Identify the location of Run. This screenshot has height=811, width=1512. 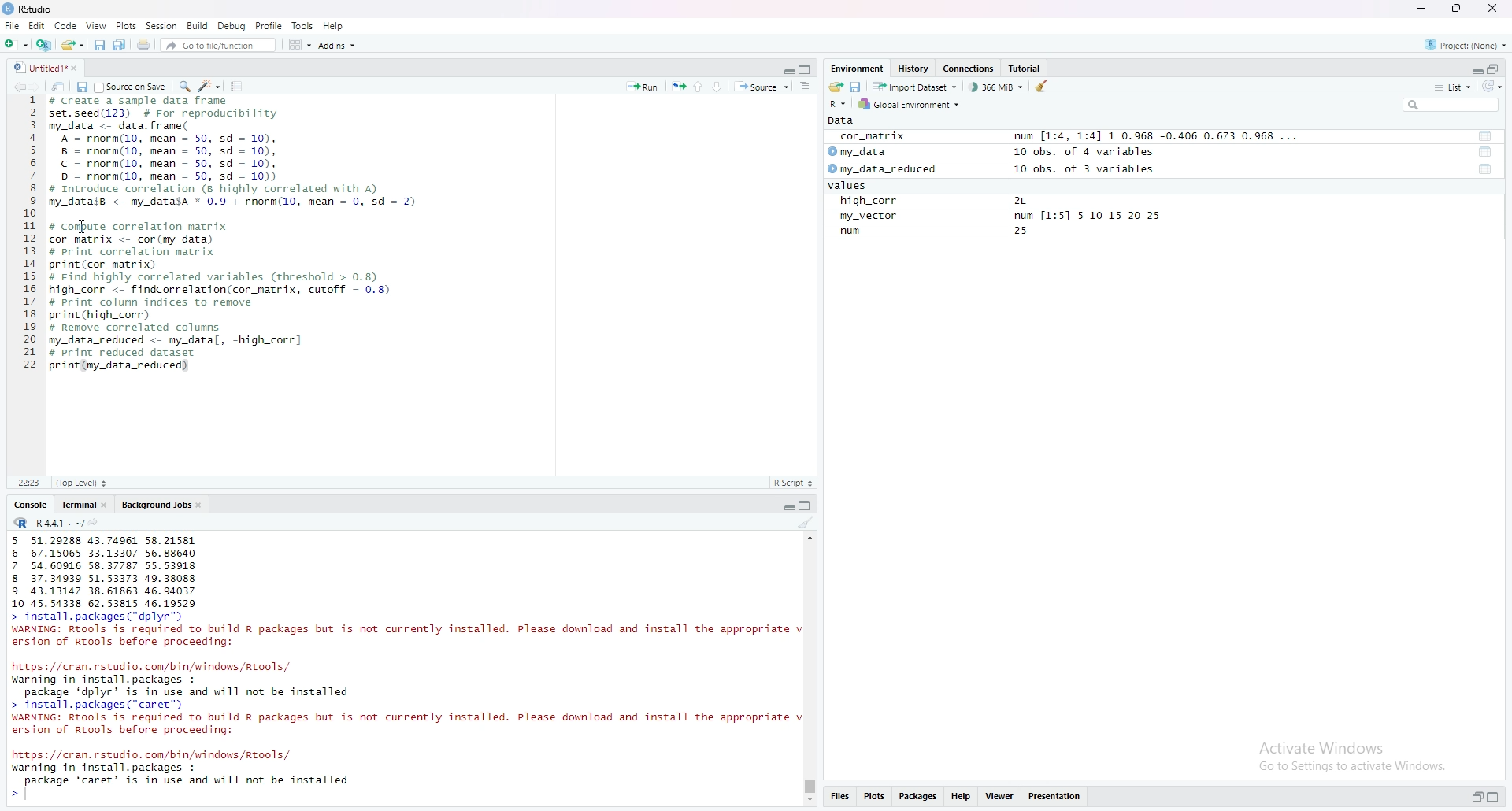
(644, 87).